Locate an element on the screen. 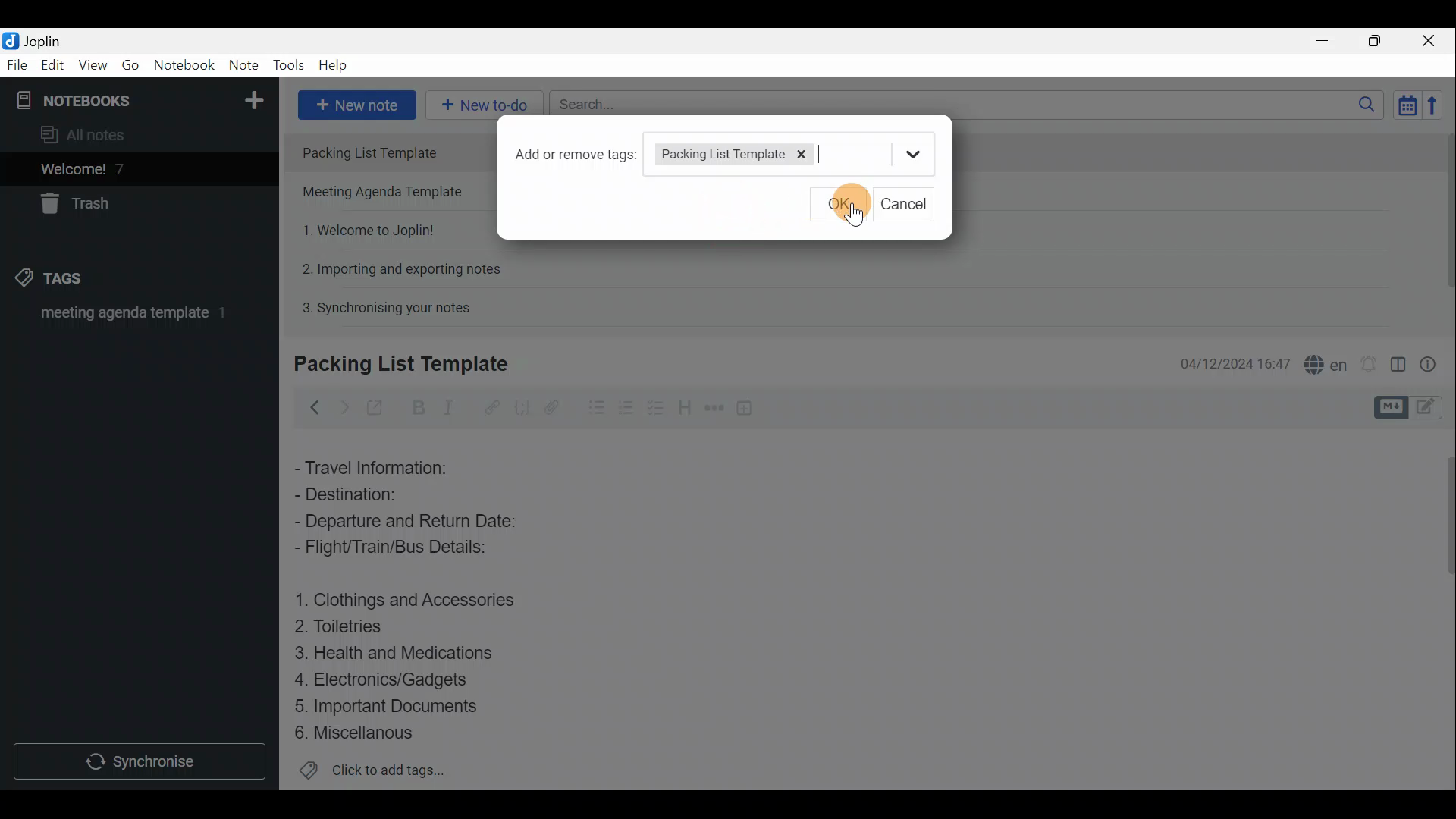 Image resolution: width=1456 pixels, height=819 pixels. Important Documents is located at coordinates (390, 705).